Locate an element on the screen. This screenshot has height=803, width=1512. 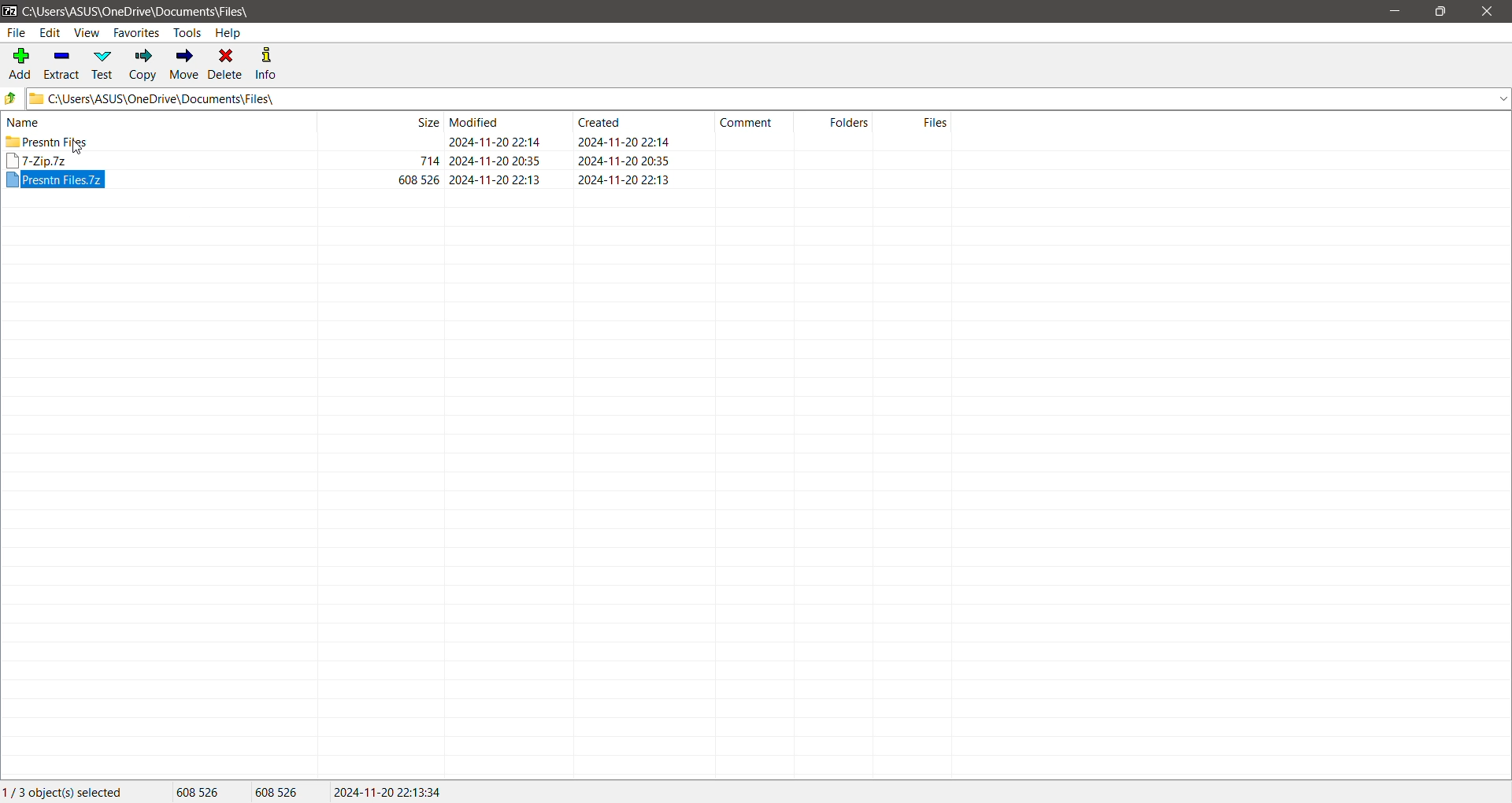
Move Up one level is located at coordinates (11, 98).